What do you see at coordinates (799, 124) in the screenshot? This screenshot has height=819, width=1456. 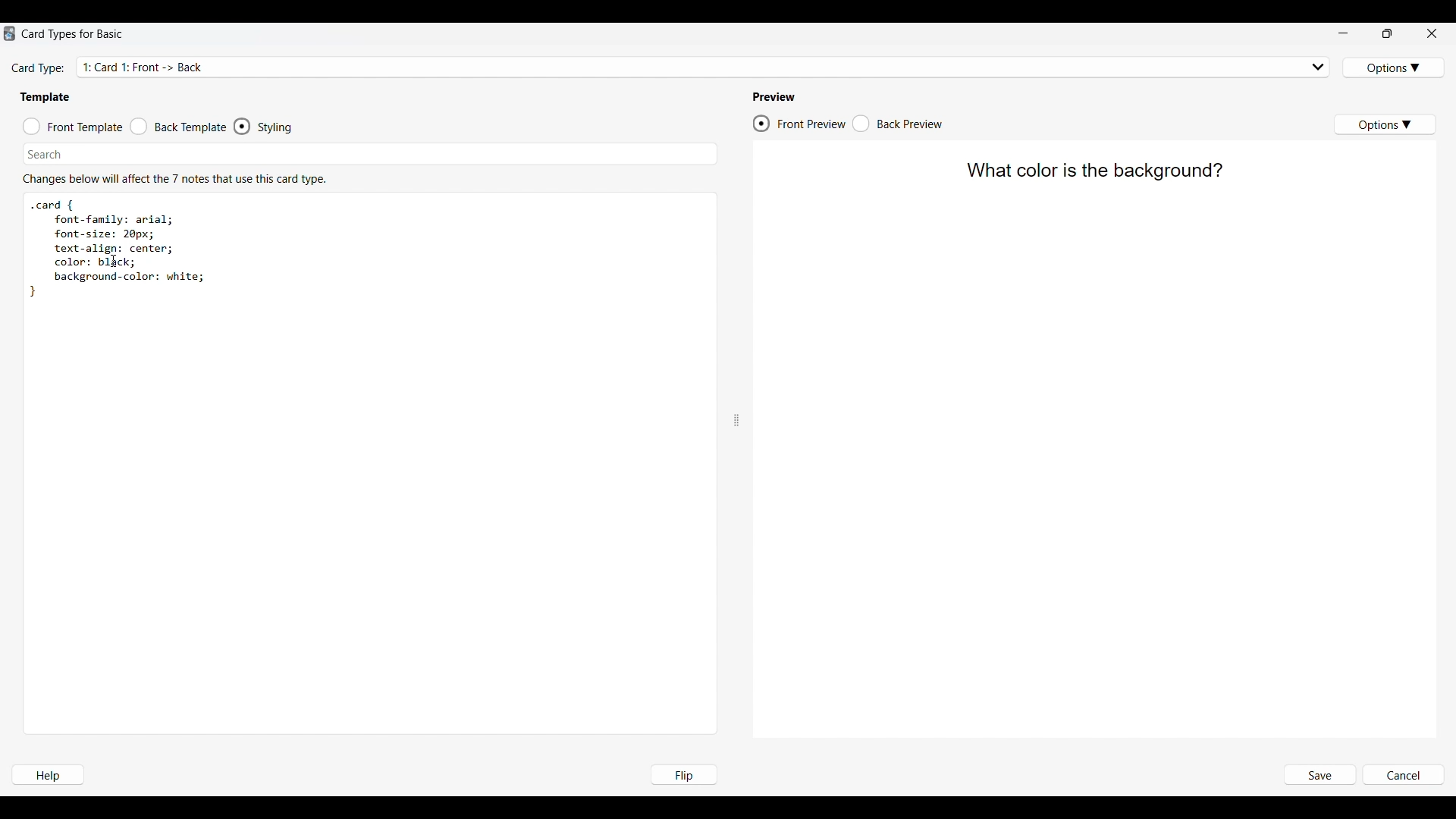 I see `Preview front of card, current selection` at bounding box center [799, 124].